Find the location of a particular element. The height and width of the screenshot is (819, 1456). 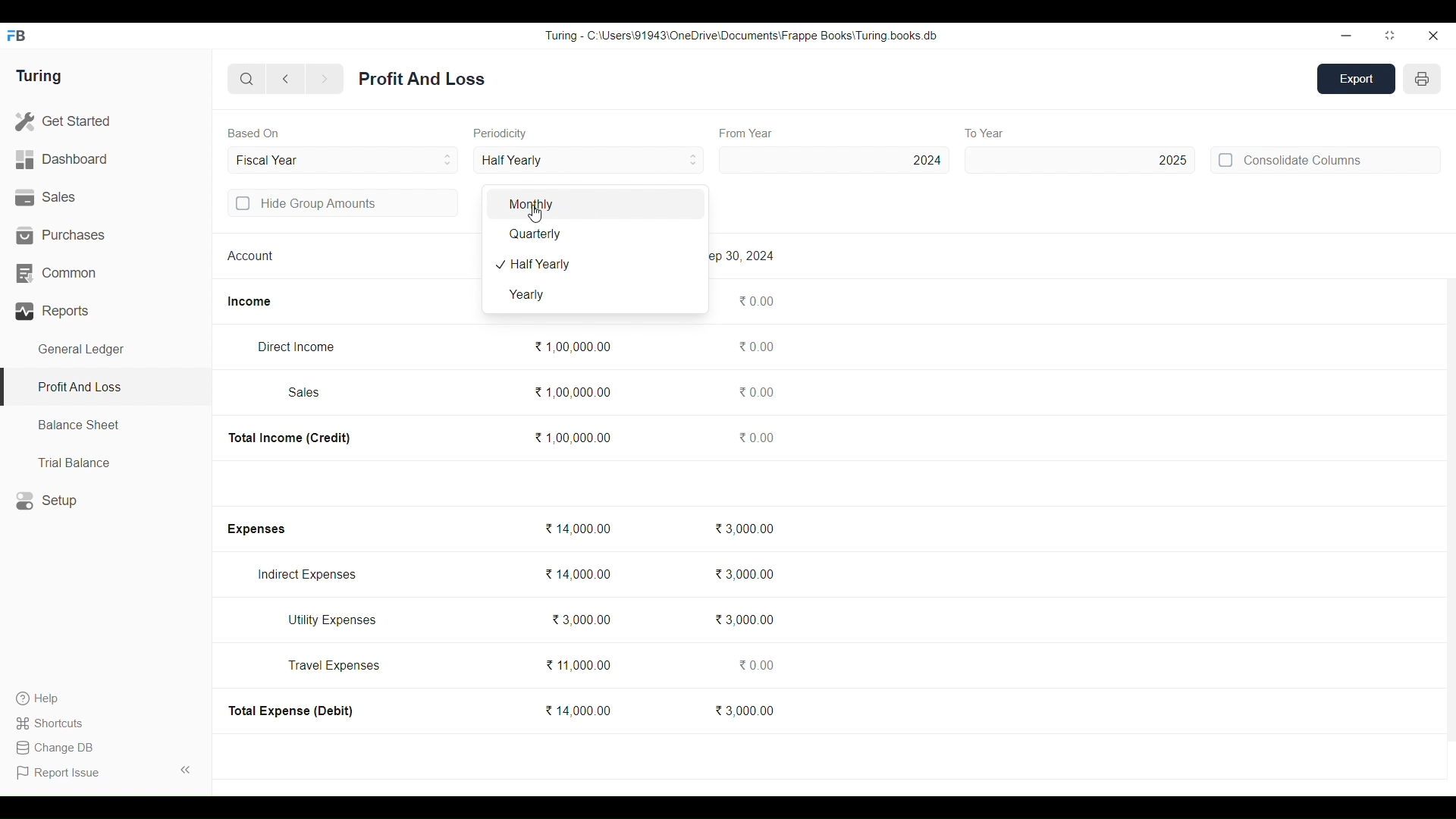

2025 is located at coordinates (1081, 160).